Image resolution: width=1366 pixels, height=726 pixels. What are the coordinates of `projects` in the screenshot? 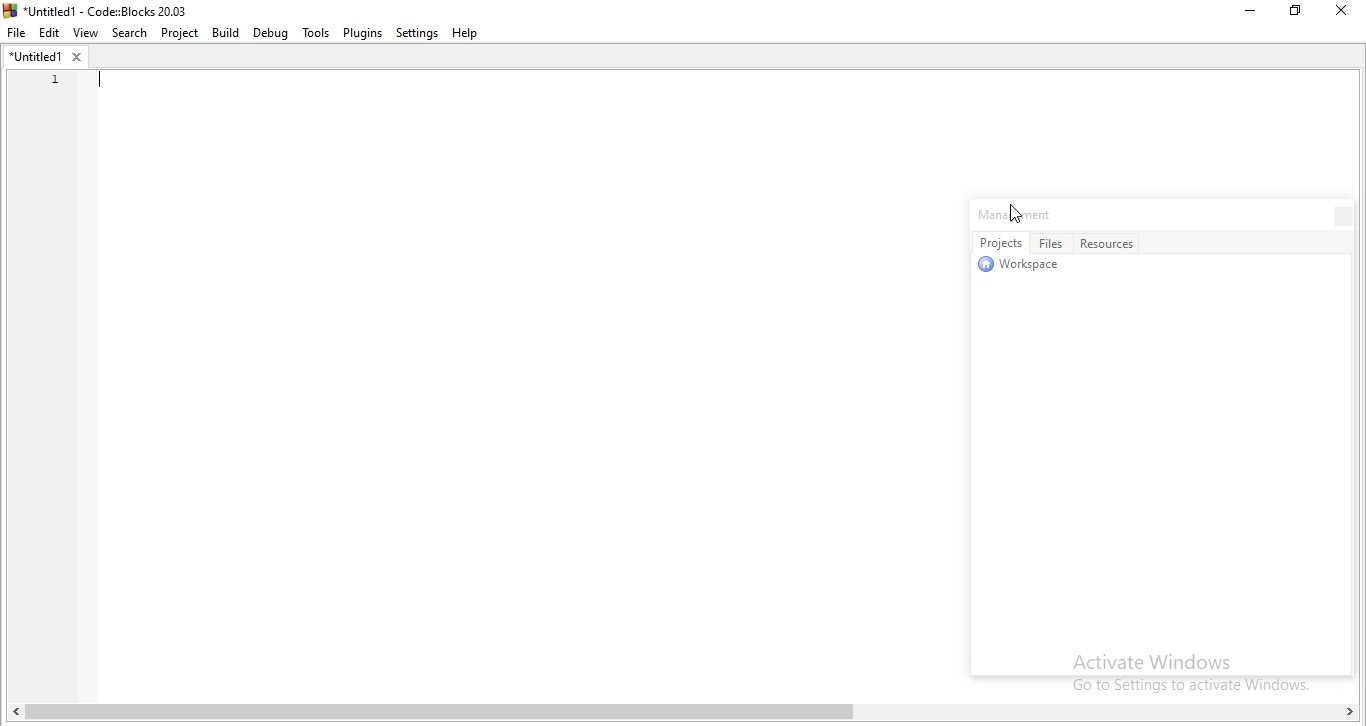 It's located at (1000, 243).